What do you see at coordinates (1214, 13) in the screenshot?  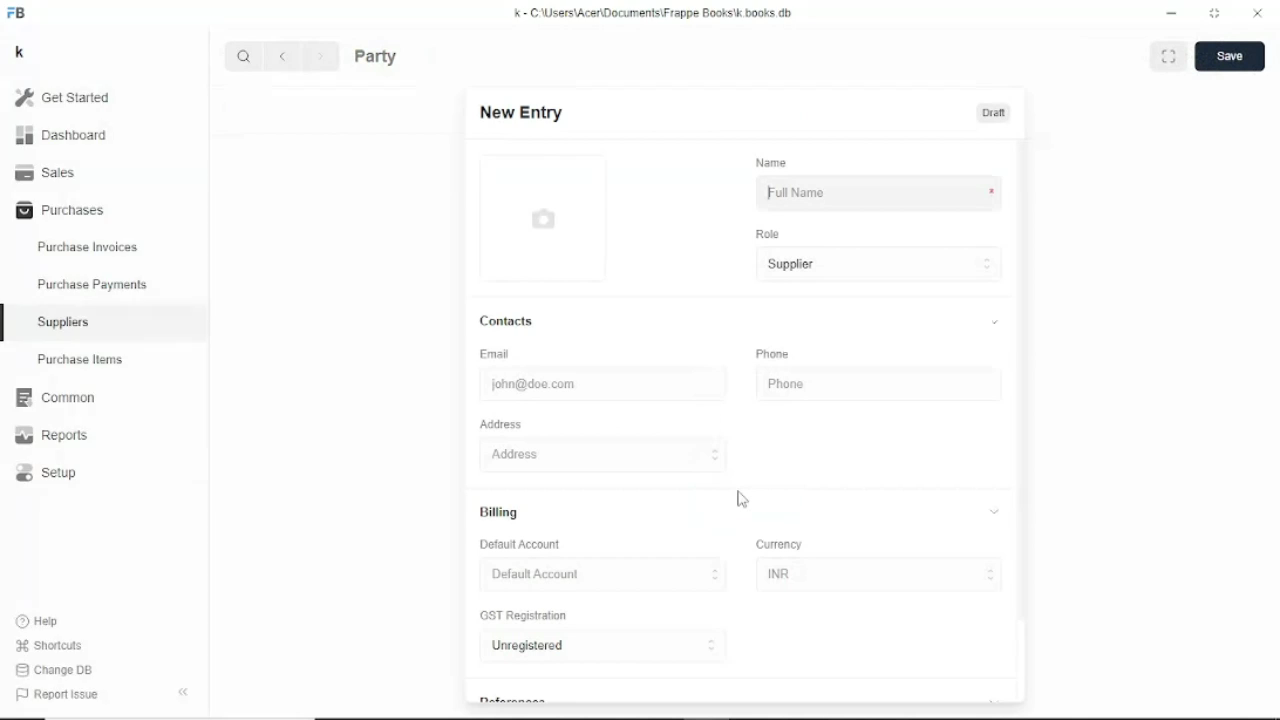 I see `Toggle between form and full width` at bounding box center [1214, 13].